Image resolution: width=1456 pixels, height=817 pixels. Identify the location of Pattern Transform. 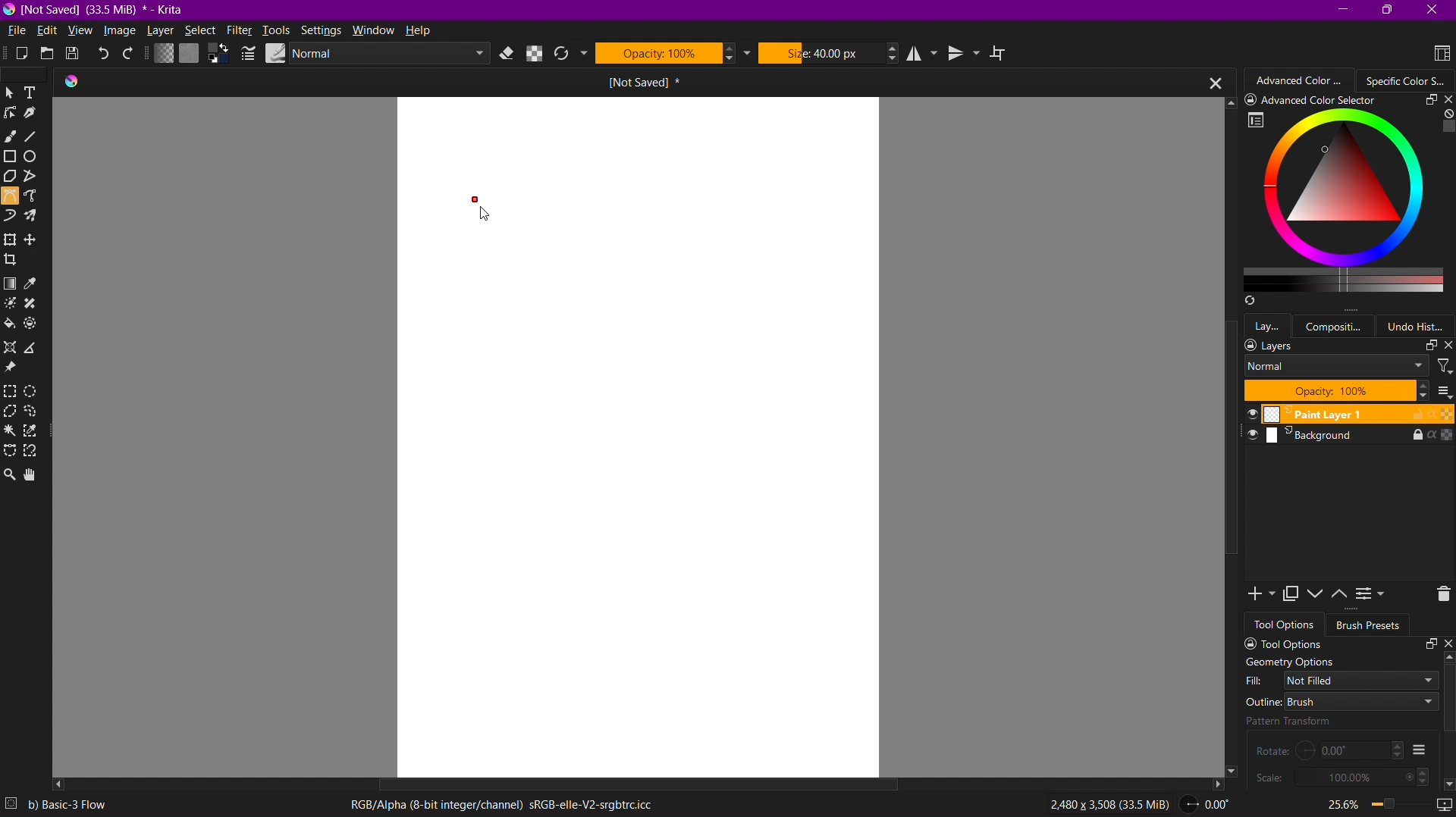
(1319, 721).